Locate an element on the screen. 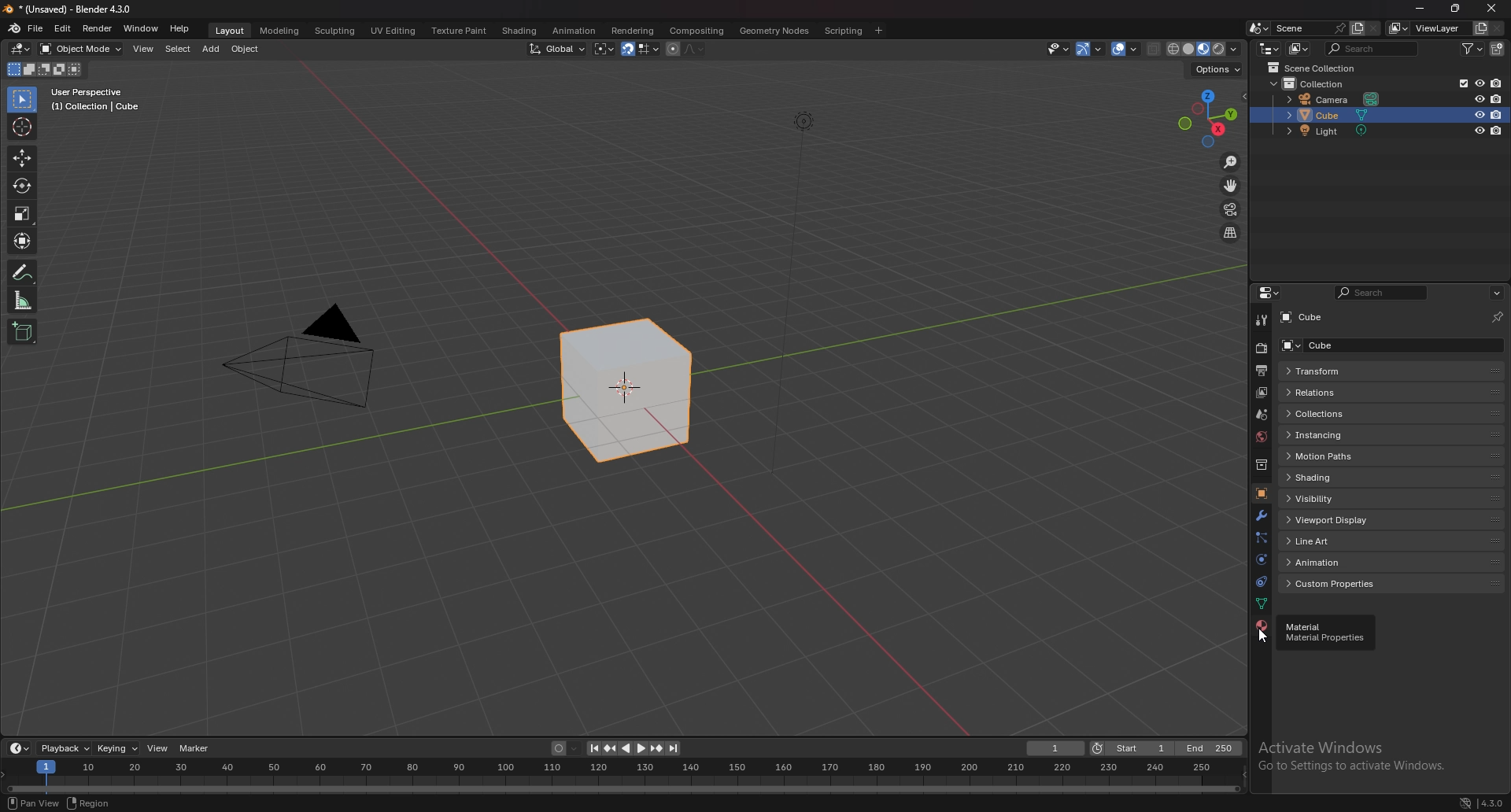  output is located at coordinates (1260, 371).